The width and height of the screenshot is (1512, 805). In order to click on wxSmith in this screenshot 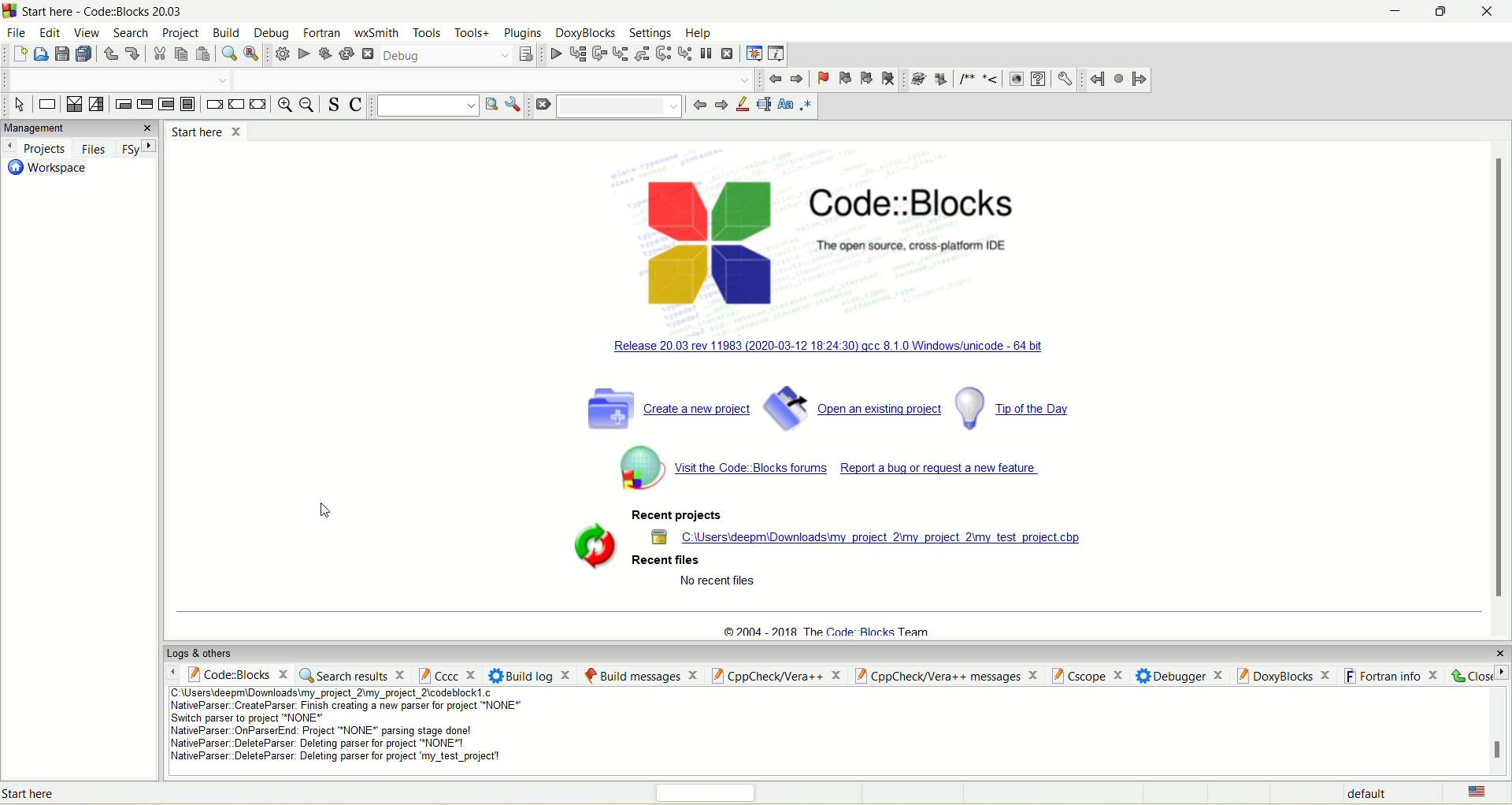, I will do `click(375, 33)`.